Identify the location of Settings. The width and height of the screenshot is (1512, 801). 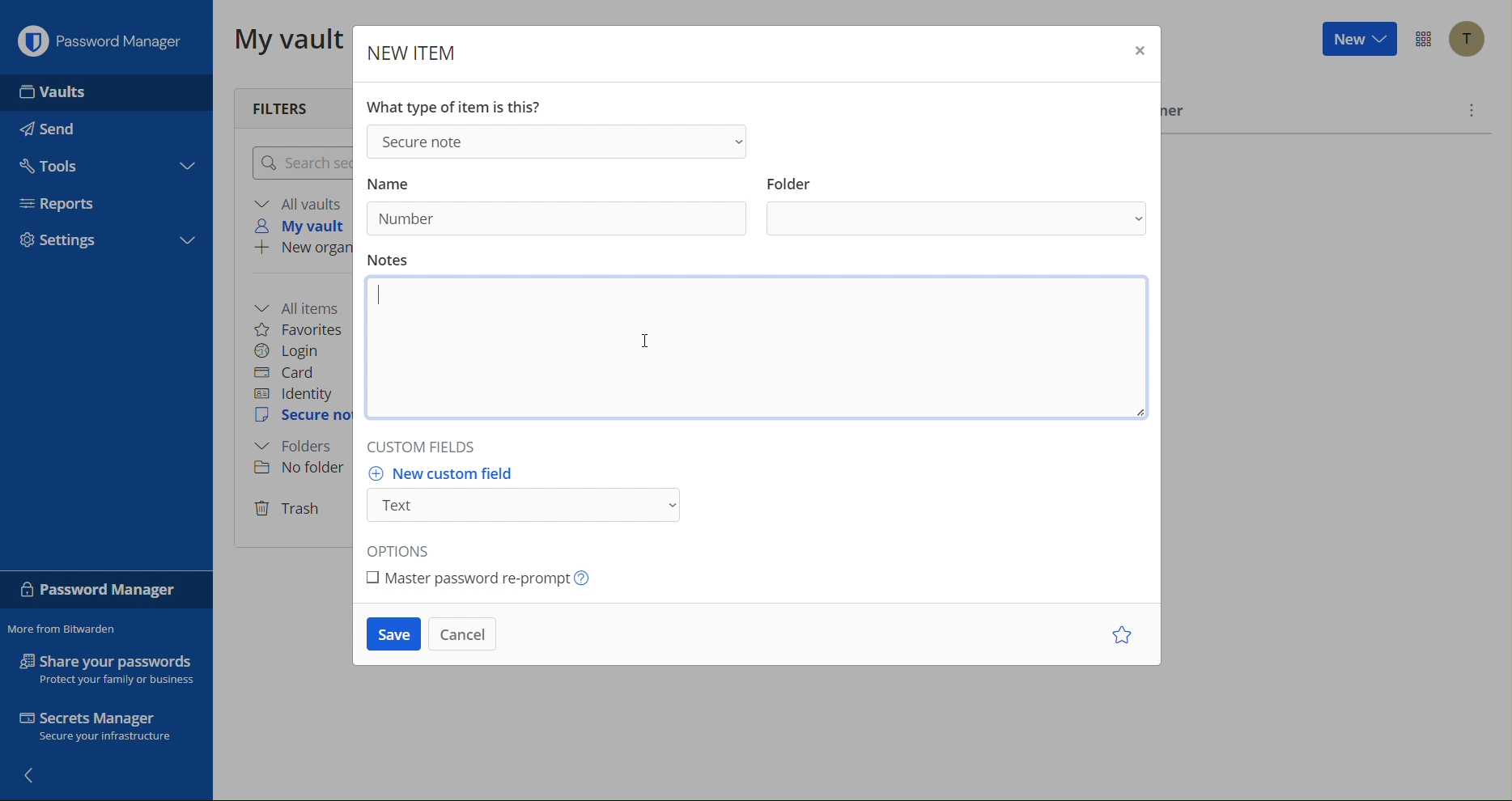
(65, 239).